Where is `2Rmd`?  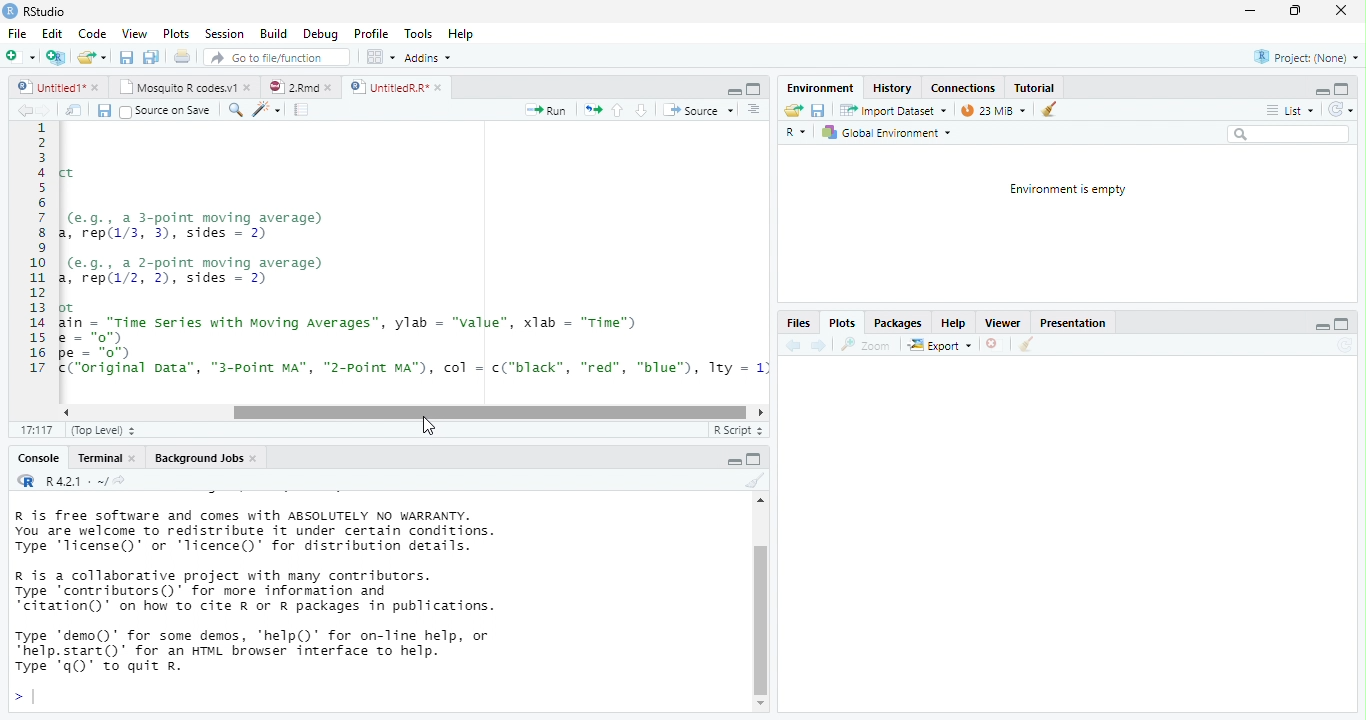 2Rmd is located at coordinates (291, 87).